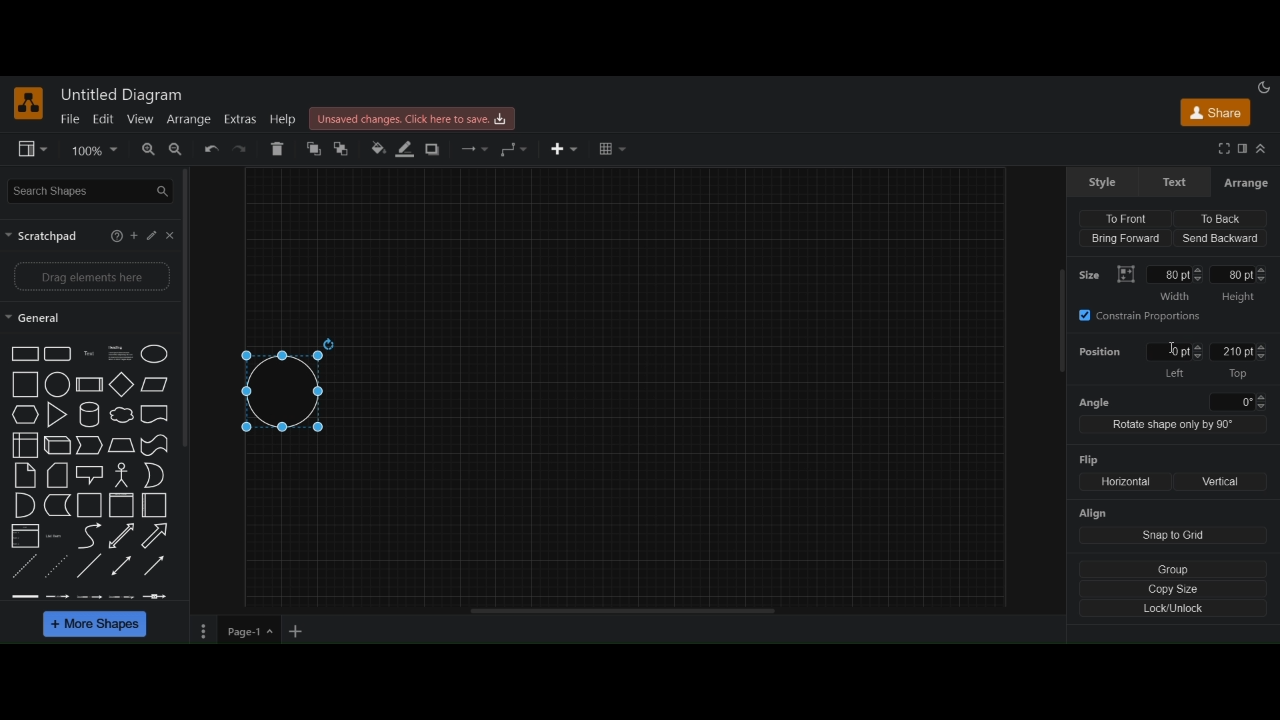 This screenshot has height=720, width=1280. I want to click on to back, so click(345, 149).